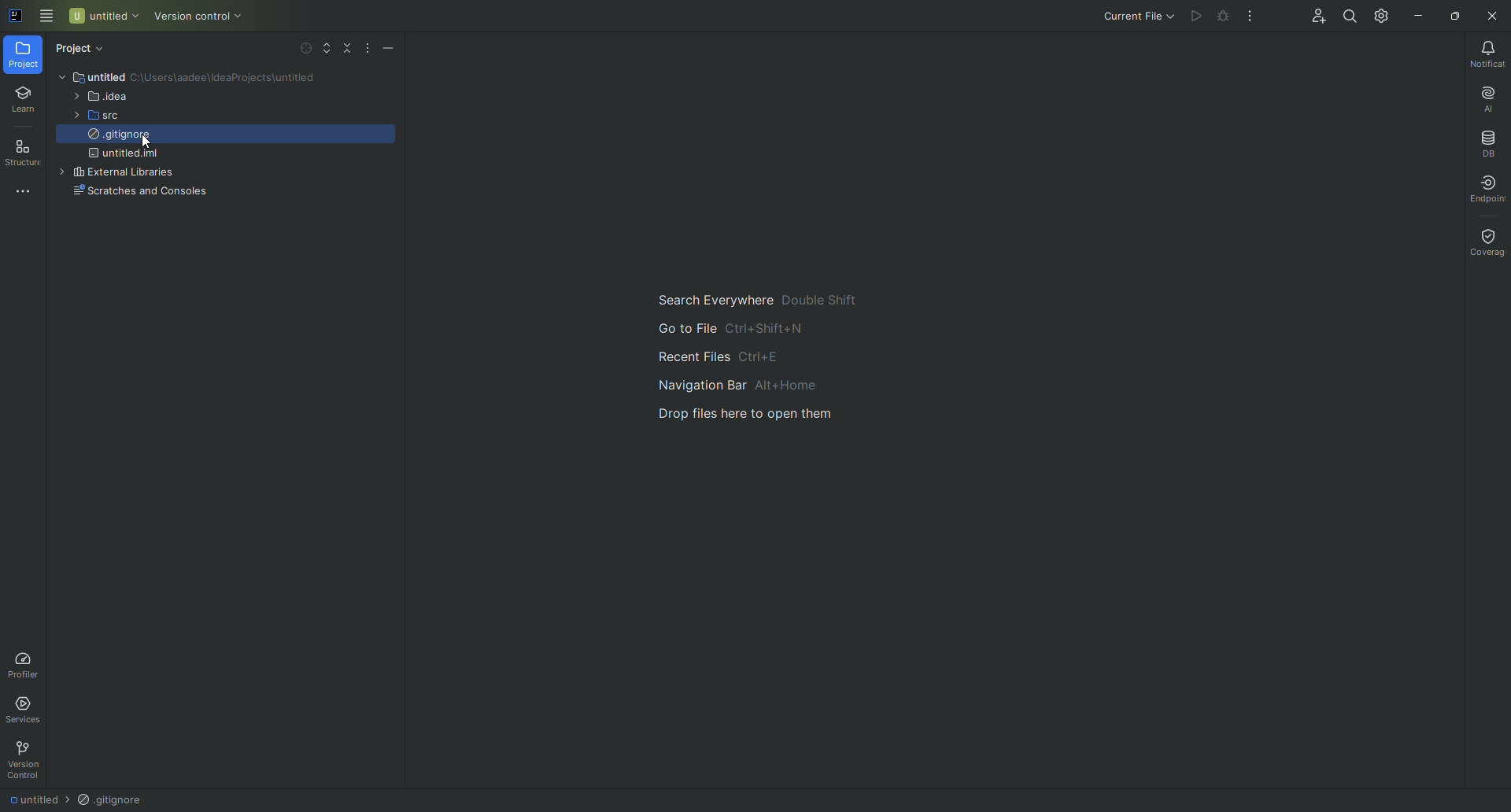 This screenshot has width=1511, height=812. Describe the element at coordinates (1192, 13) in the screenshot. I see `Play` at that location.